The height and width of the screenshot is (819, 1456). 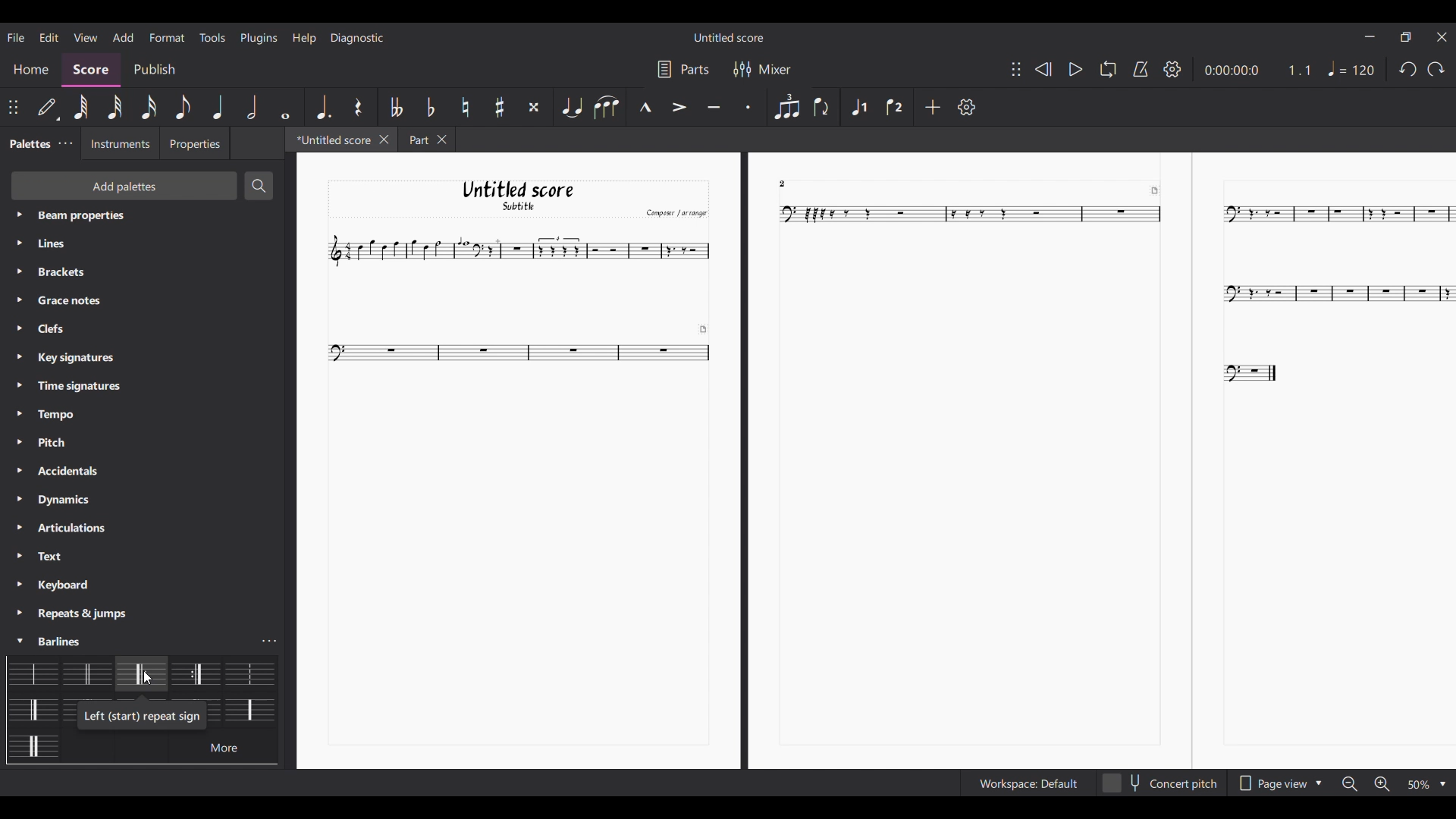 I want to click on Palette settings, so click(x=65, y=388).